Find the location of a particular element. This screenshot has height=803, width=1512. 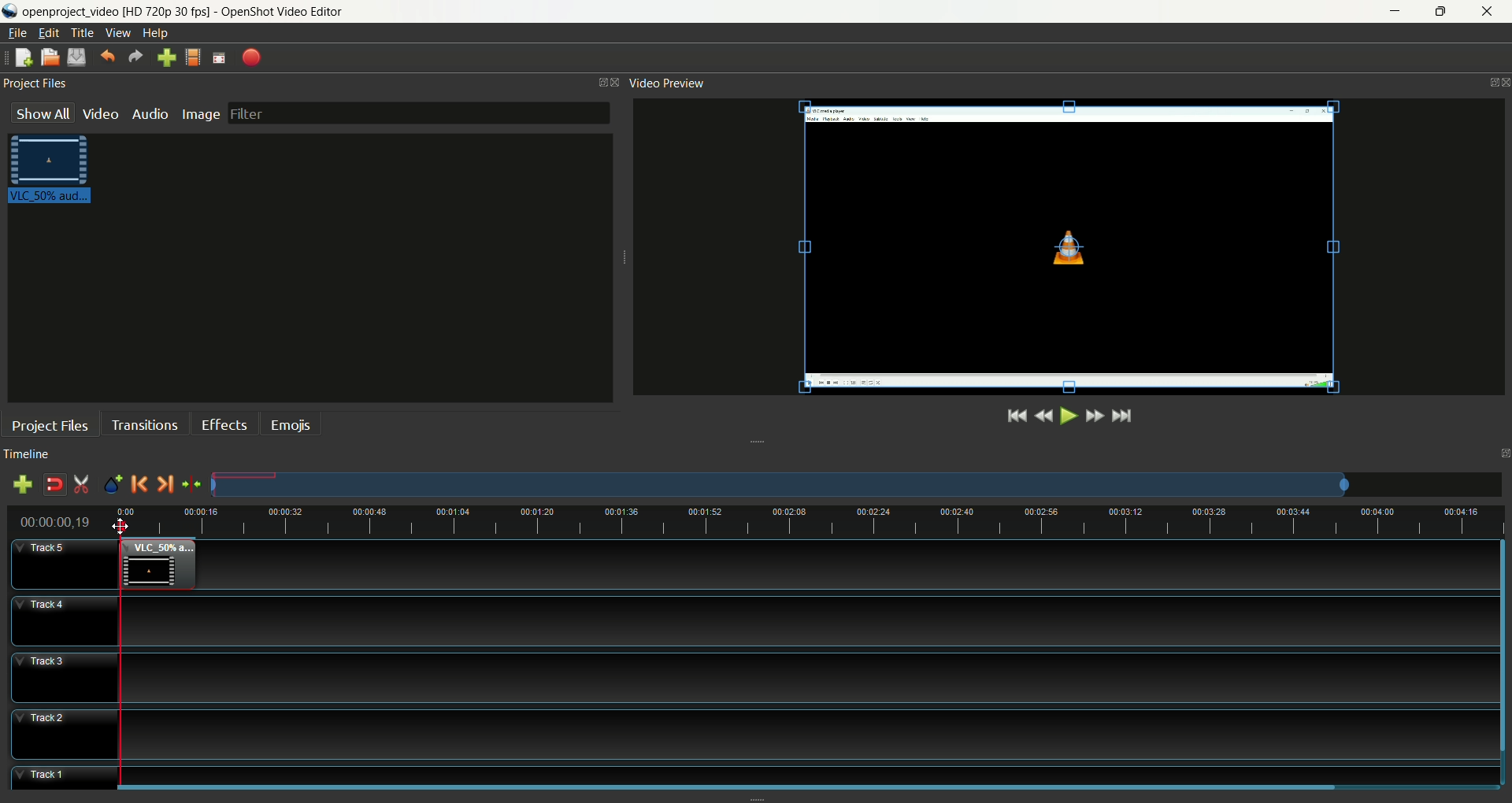

emojis is located at coordinates (291, 424).